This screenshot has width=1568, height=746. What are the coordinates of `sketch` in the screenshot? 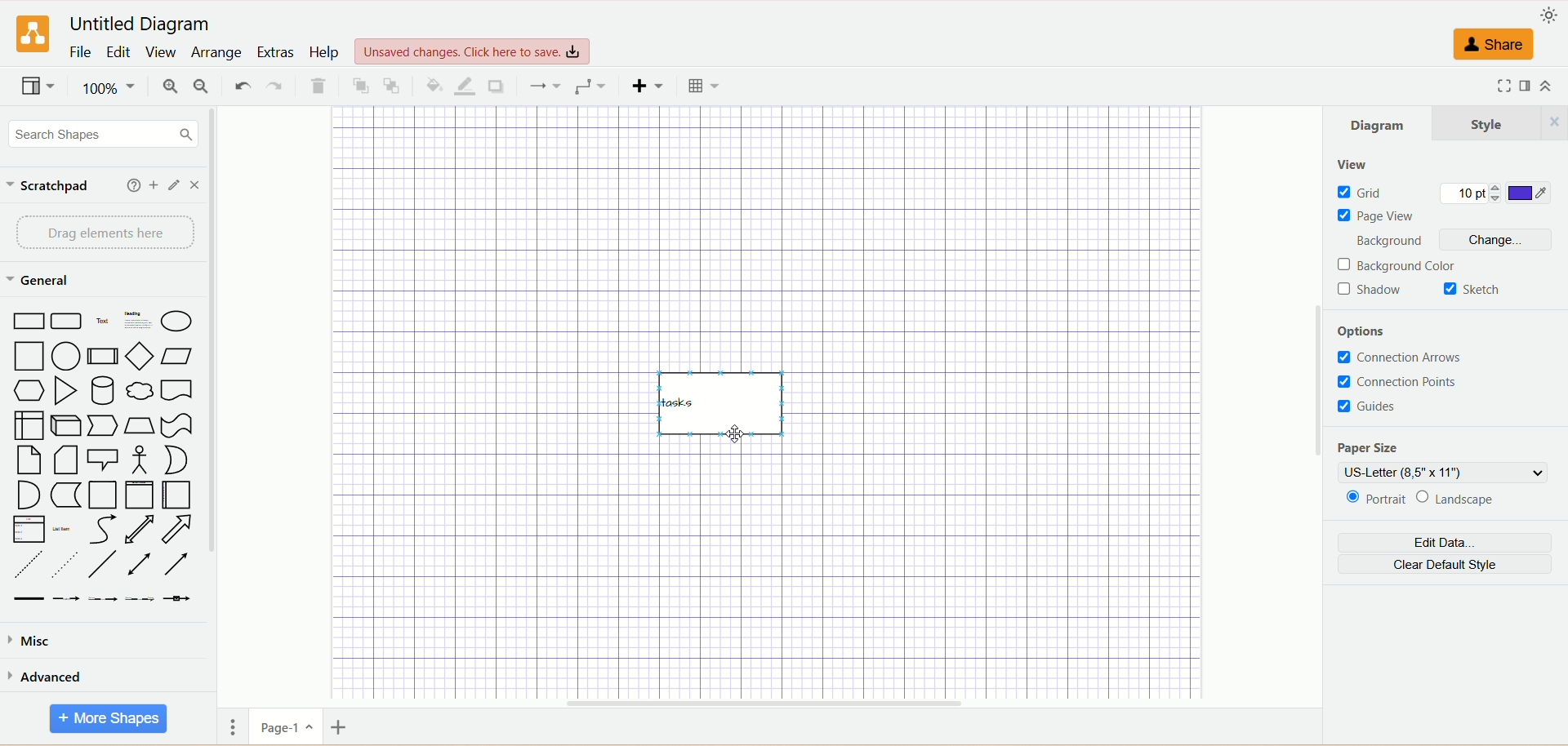 It's located at (1471, 288).